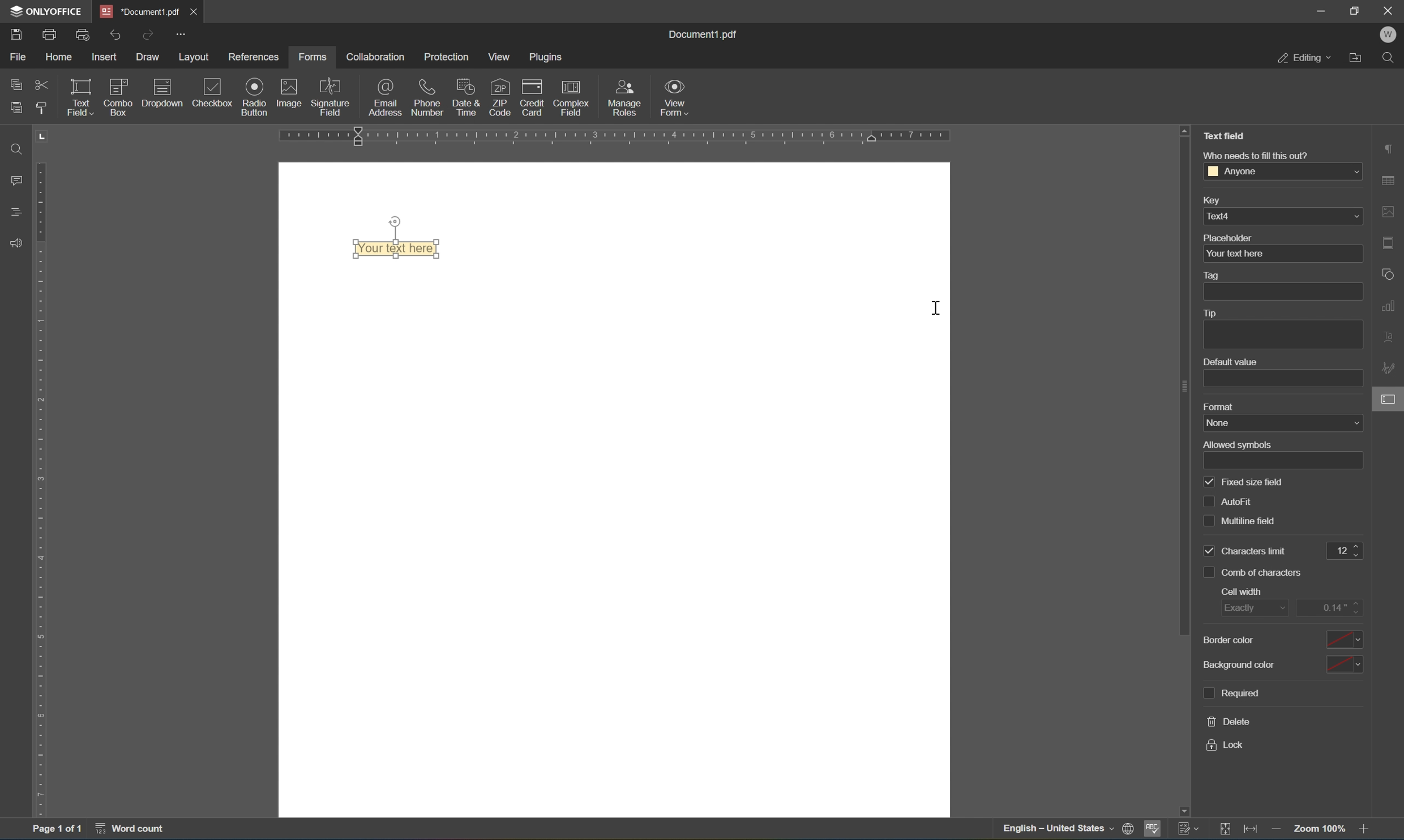 This screenshot has height=840, width=1404. I want to click on Track changes, so click(1227, 830).